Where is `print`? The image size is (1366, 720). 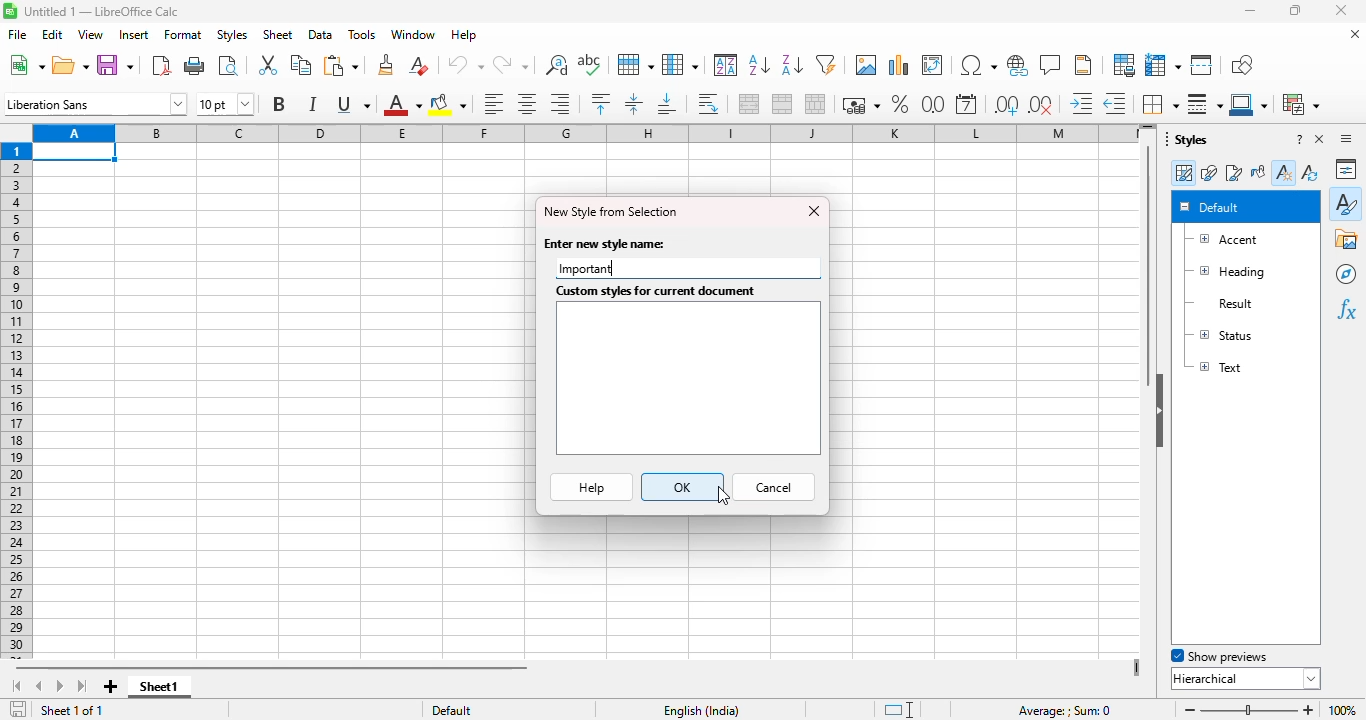 print is located at coordinates (195, 64).